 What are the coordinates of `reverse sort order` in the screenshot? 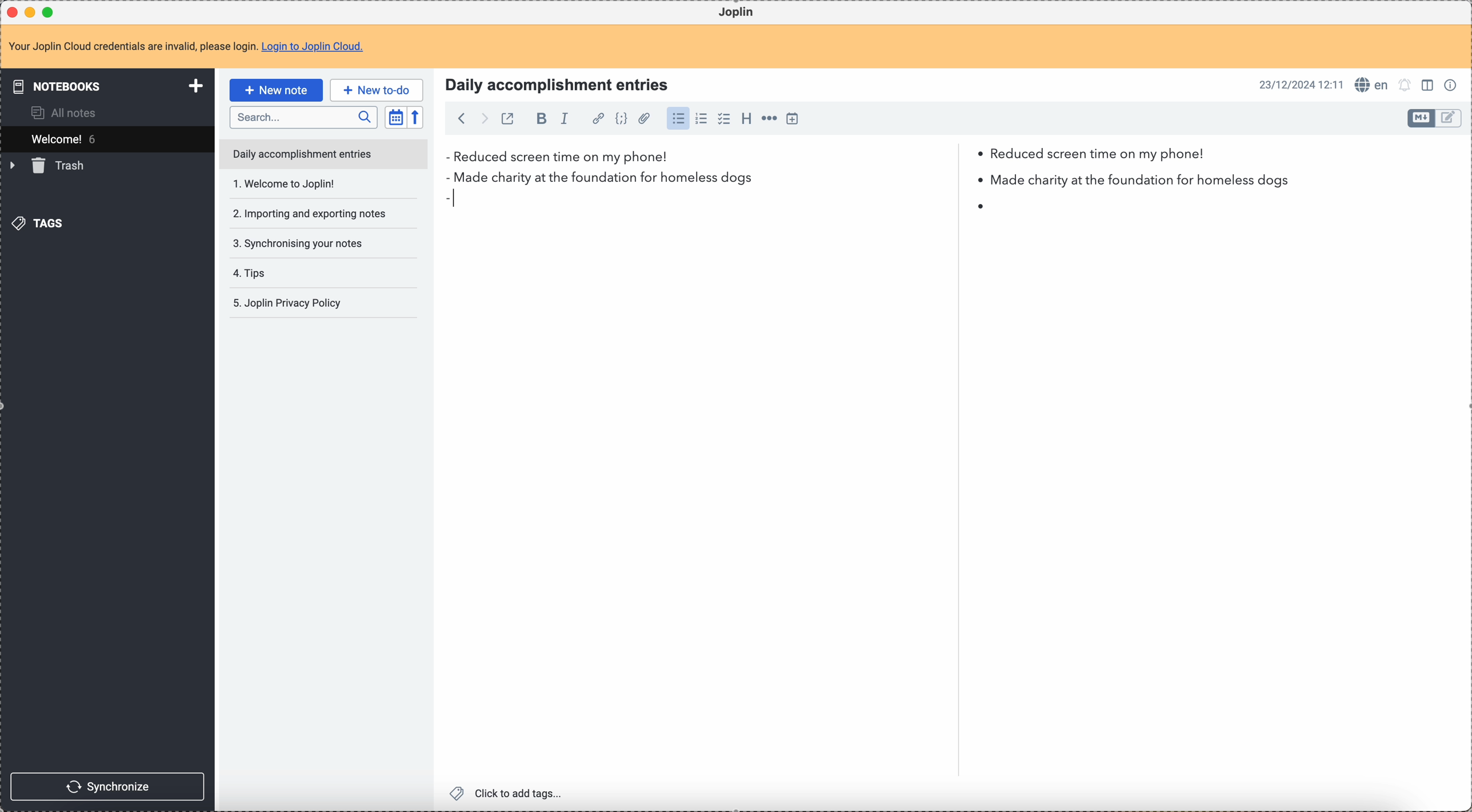 It's located at (415, 117).